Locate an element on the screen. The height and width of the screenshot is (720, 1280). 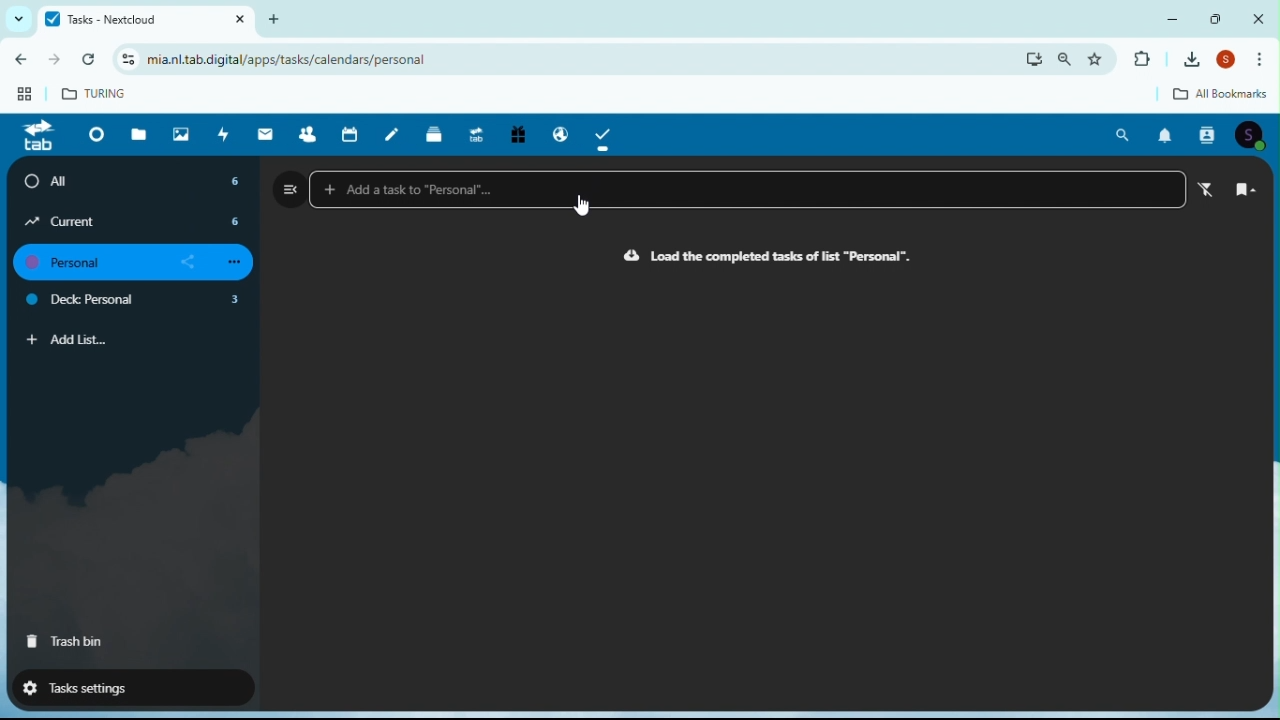
Activity is located at coordinates (224, 134).